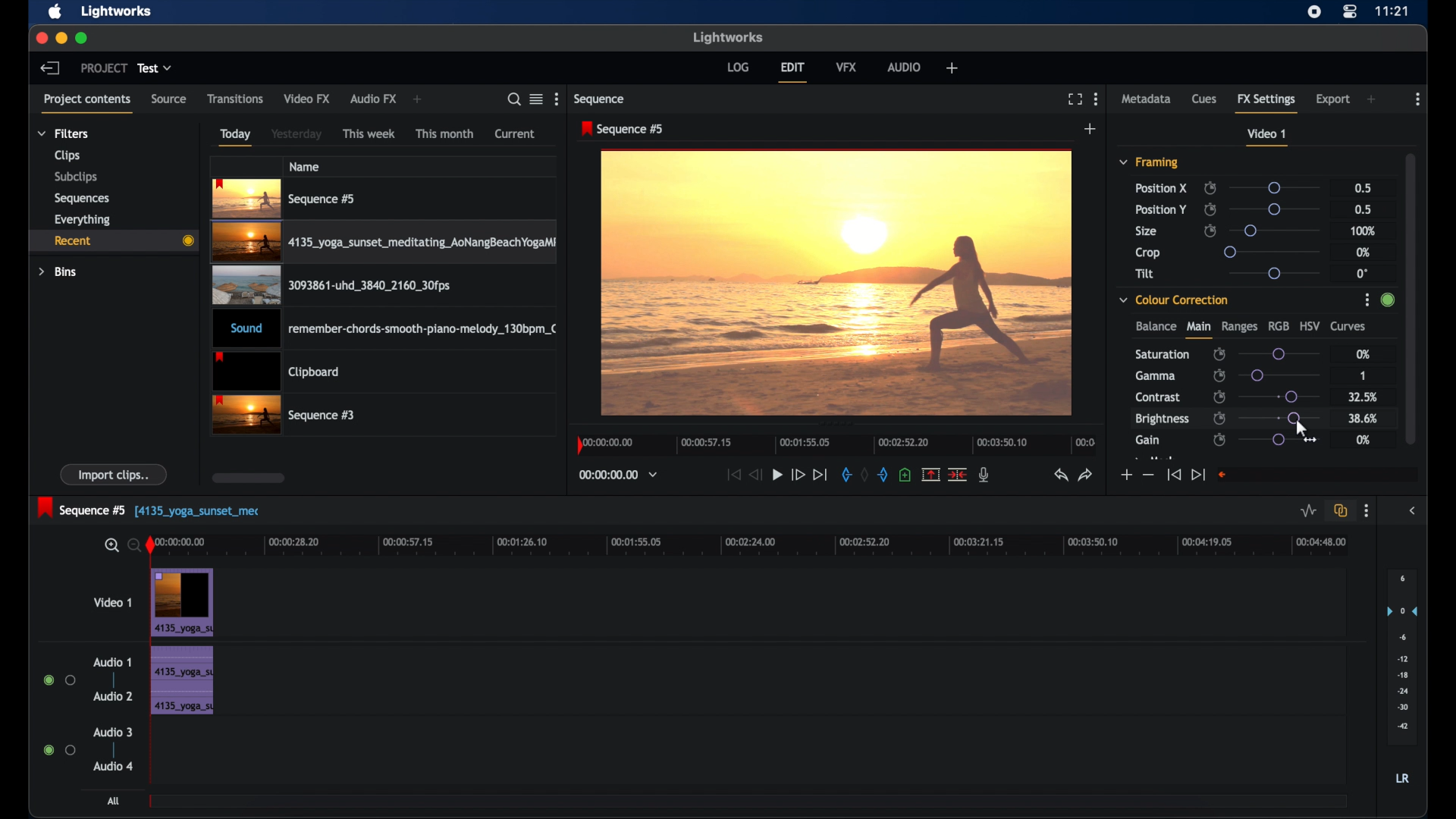 Image resolution: width=1456 pixels, height=819 pixels. I want to click on timecodesand reels, so click(619, 475).